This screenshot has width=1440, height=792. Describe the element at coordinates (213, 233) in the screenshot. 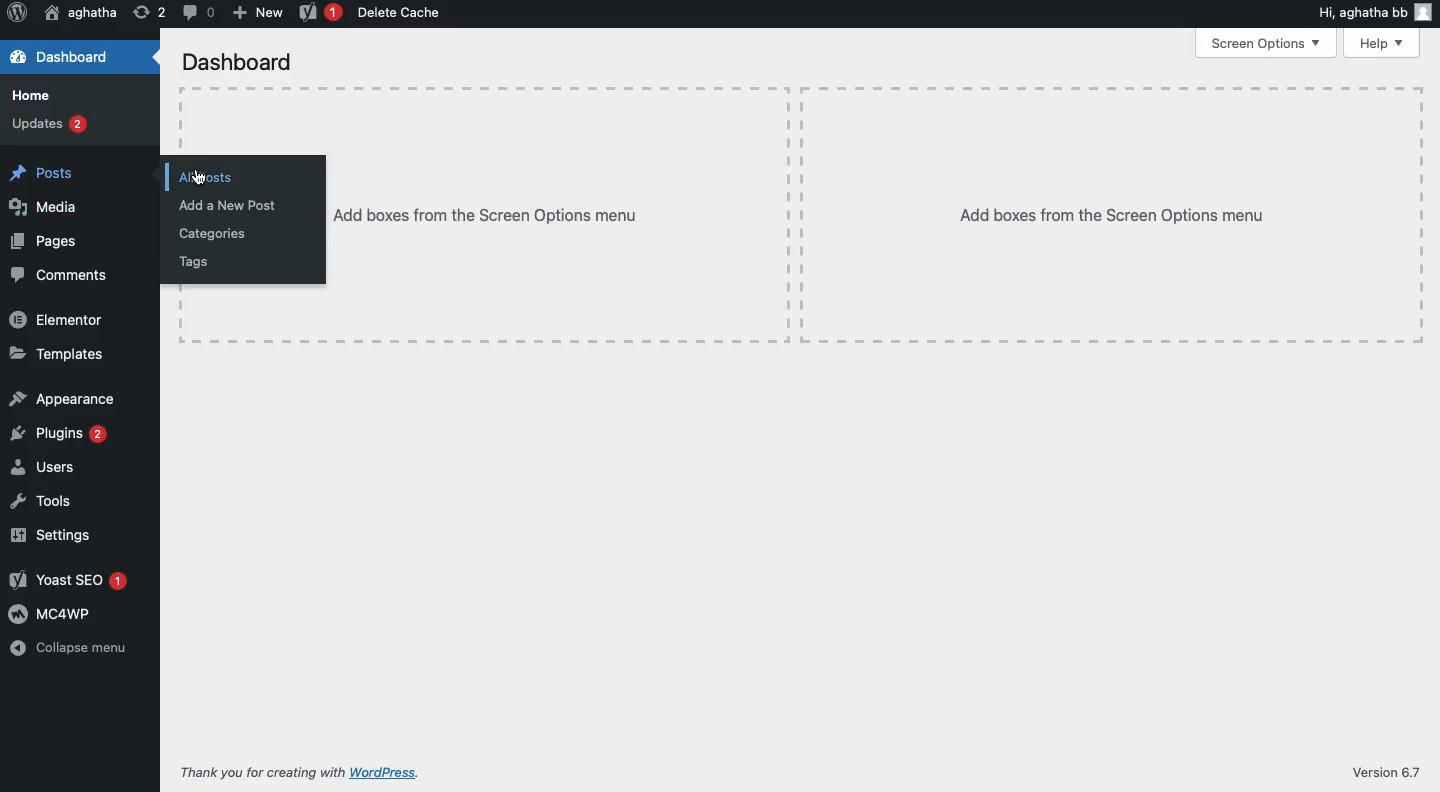

I see `Categories` at that location.